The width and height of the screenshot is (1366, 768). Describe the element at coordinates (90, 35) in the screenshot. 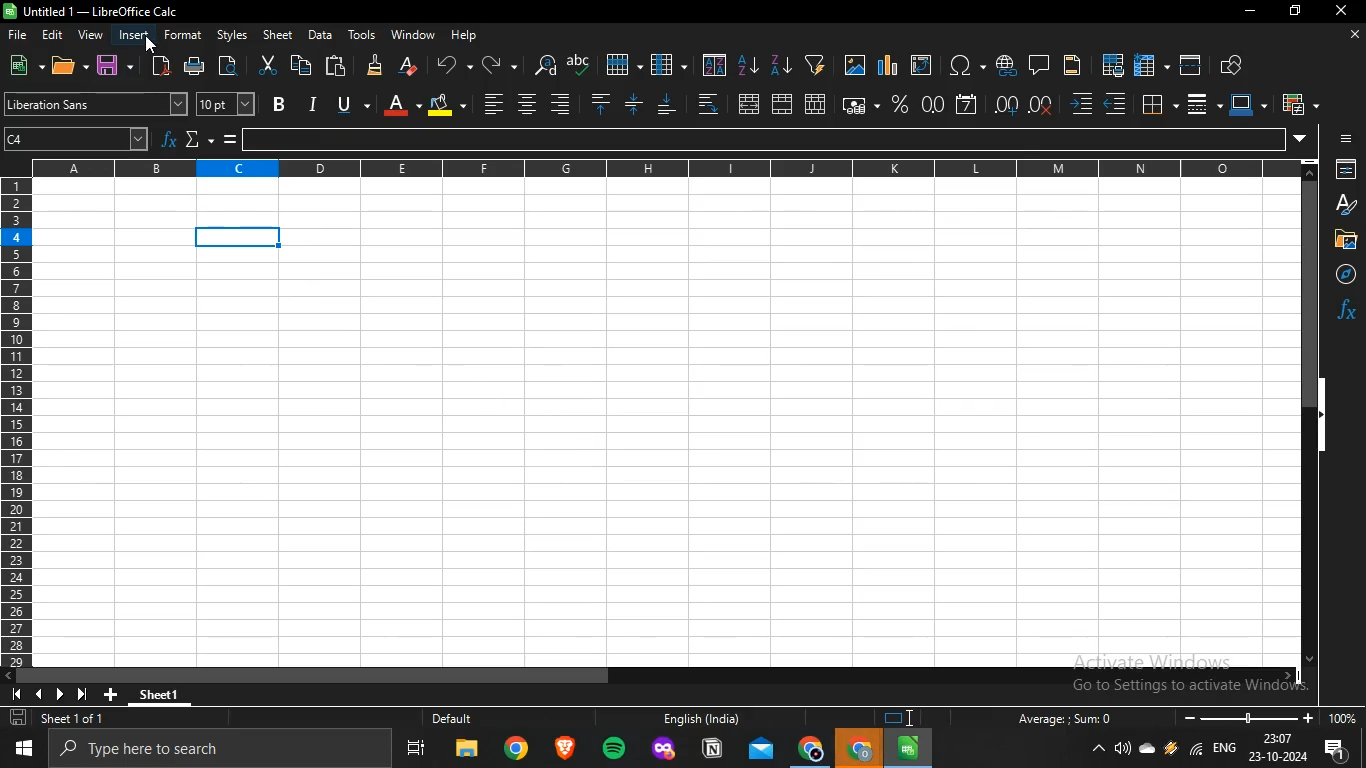

I see `view` at that location.